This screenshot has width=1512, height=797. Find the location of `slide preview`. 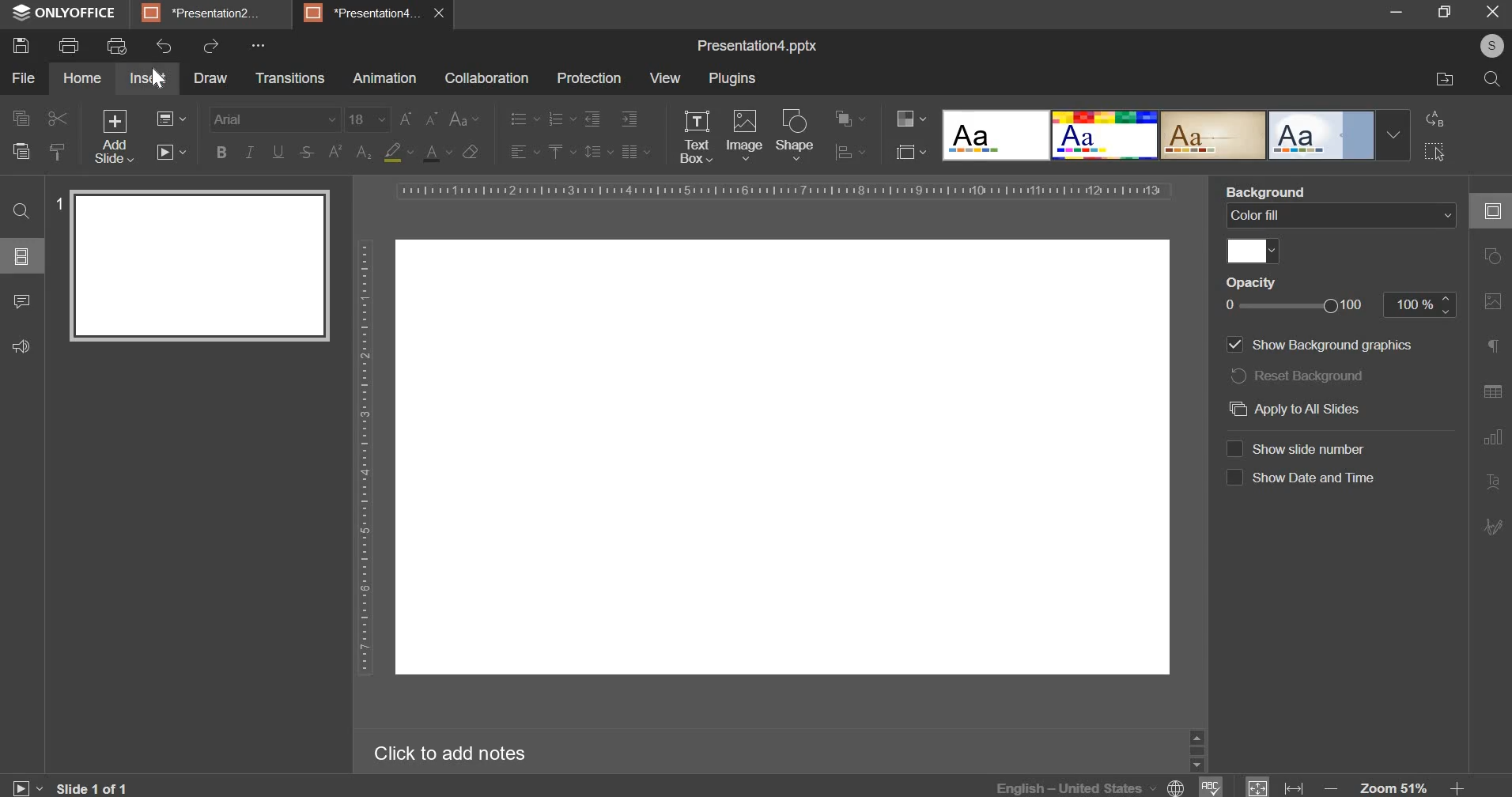

slide preview is located at coordinates (201, 267).